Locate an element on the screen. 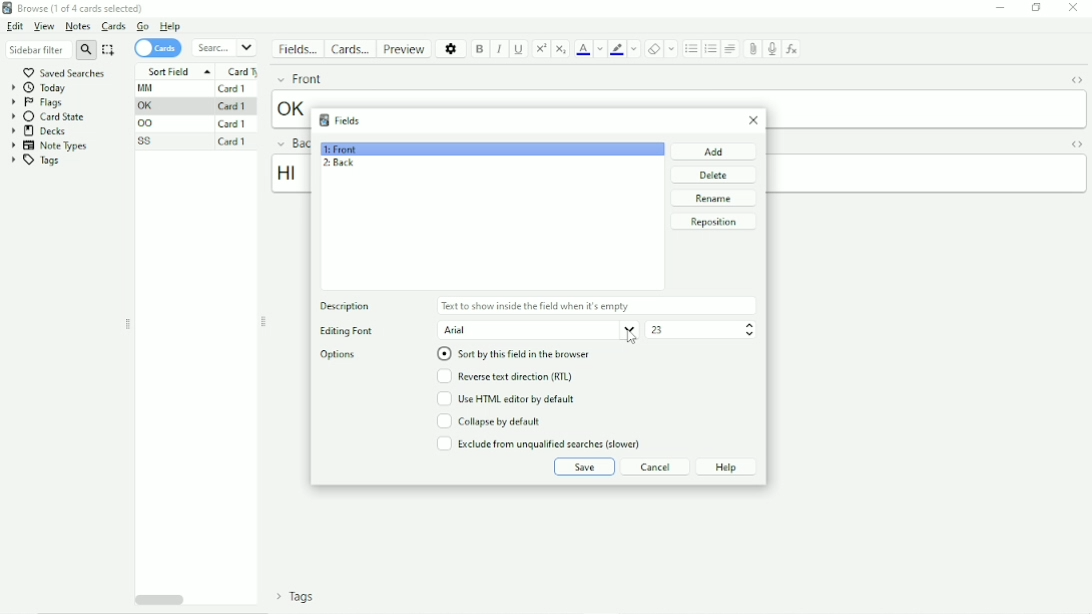 The height and width of the screenshot is (614, 1092). Go is located at coordinates (143, 26).